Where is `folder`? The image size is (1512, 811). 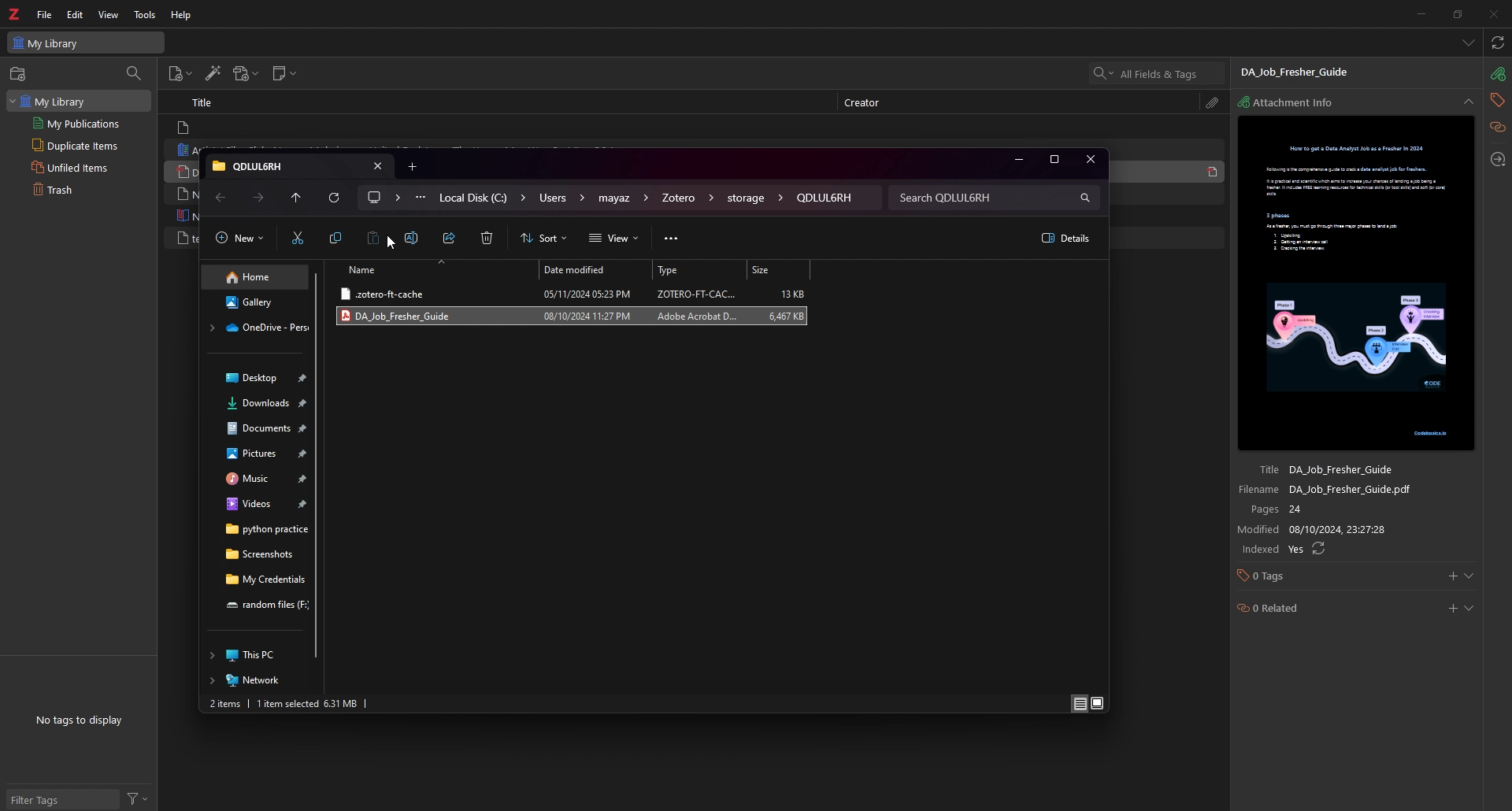
folder is located at coordinates (256, 328).